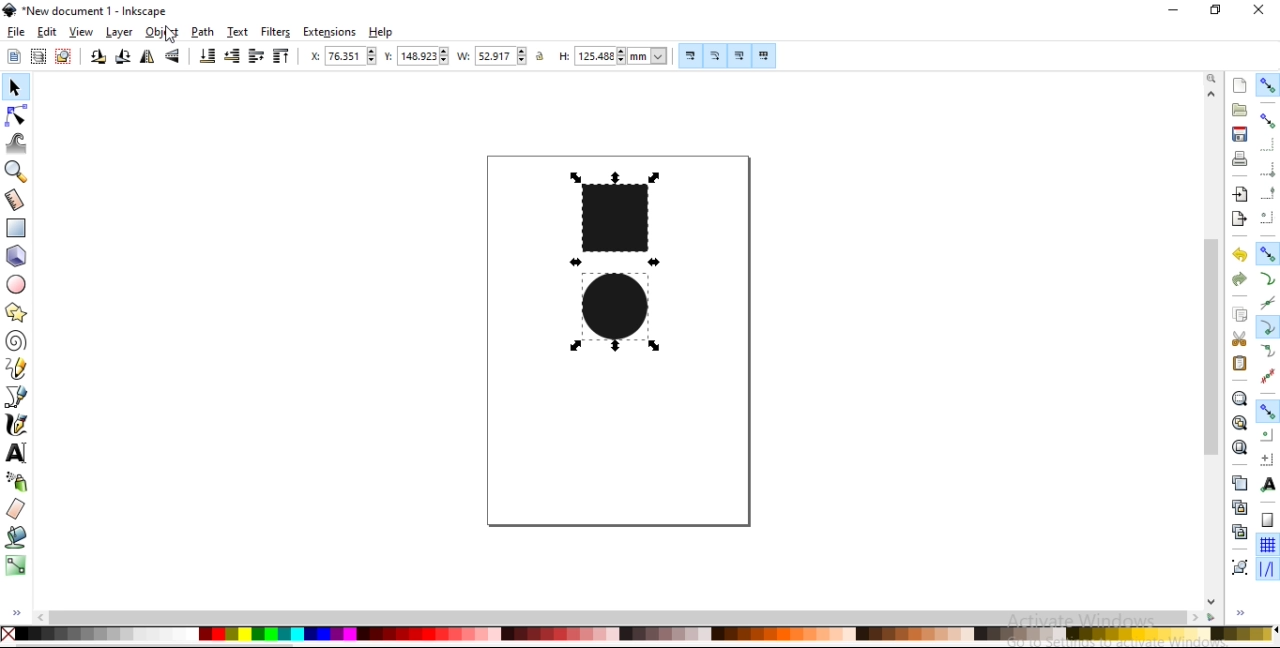 This screenshot has width=1280, height=648. What do you see at coordinates (1258, 10) in the screenshot?
I see `close` at bounding box center [1258, 10].